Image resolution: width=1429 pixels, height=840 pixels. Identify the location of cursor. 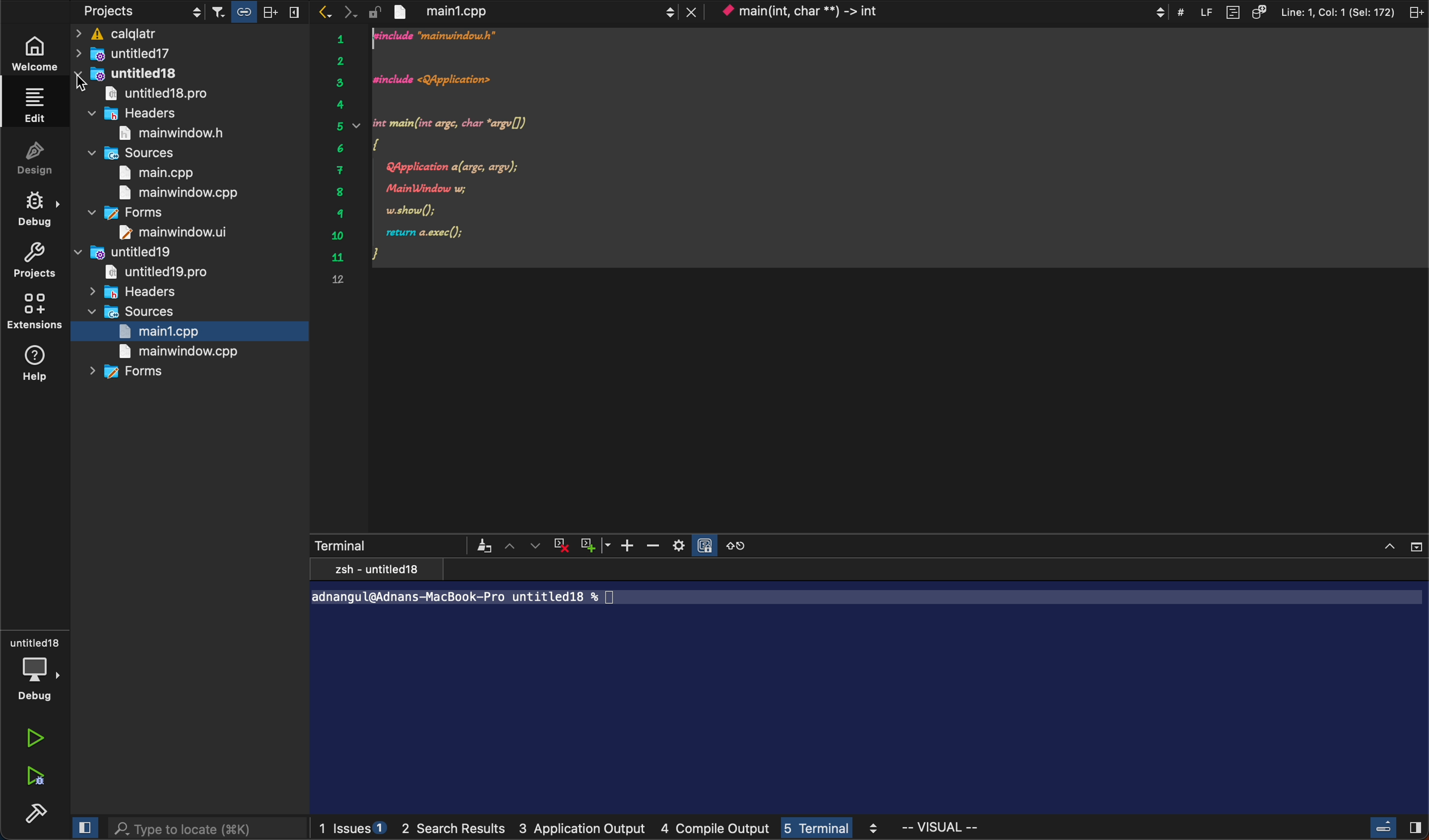
(98, 81).